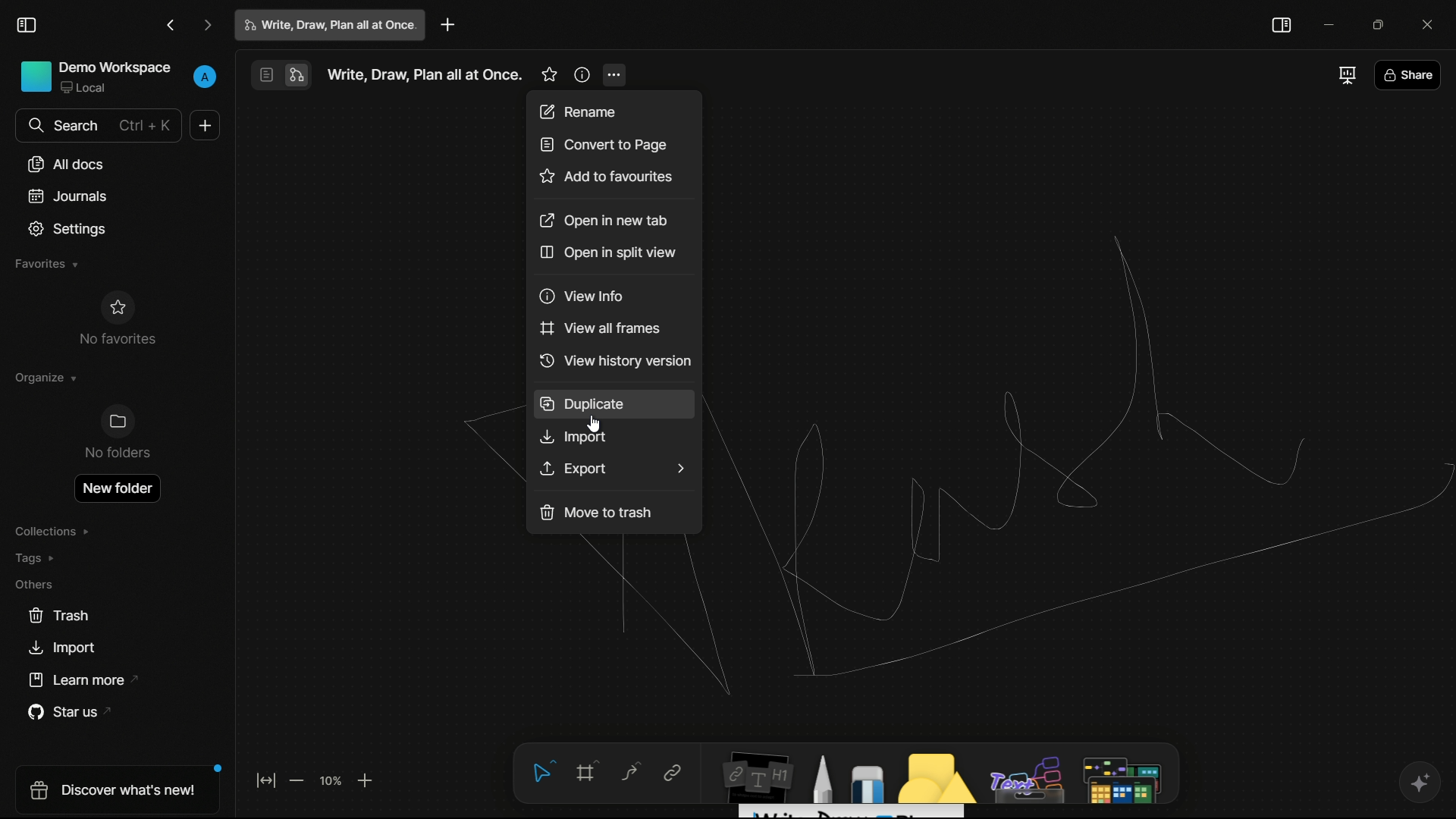 The height and width of the screenshot is (819, 1456). What do you see at coordinates (66, 197) in the screenshot?
I see `journals` at bounding box center [66, 197].